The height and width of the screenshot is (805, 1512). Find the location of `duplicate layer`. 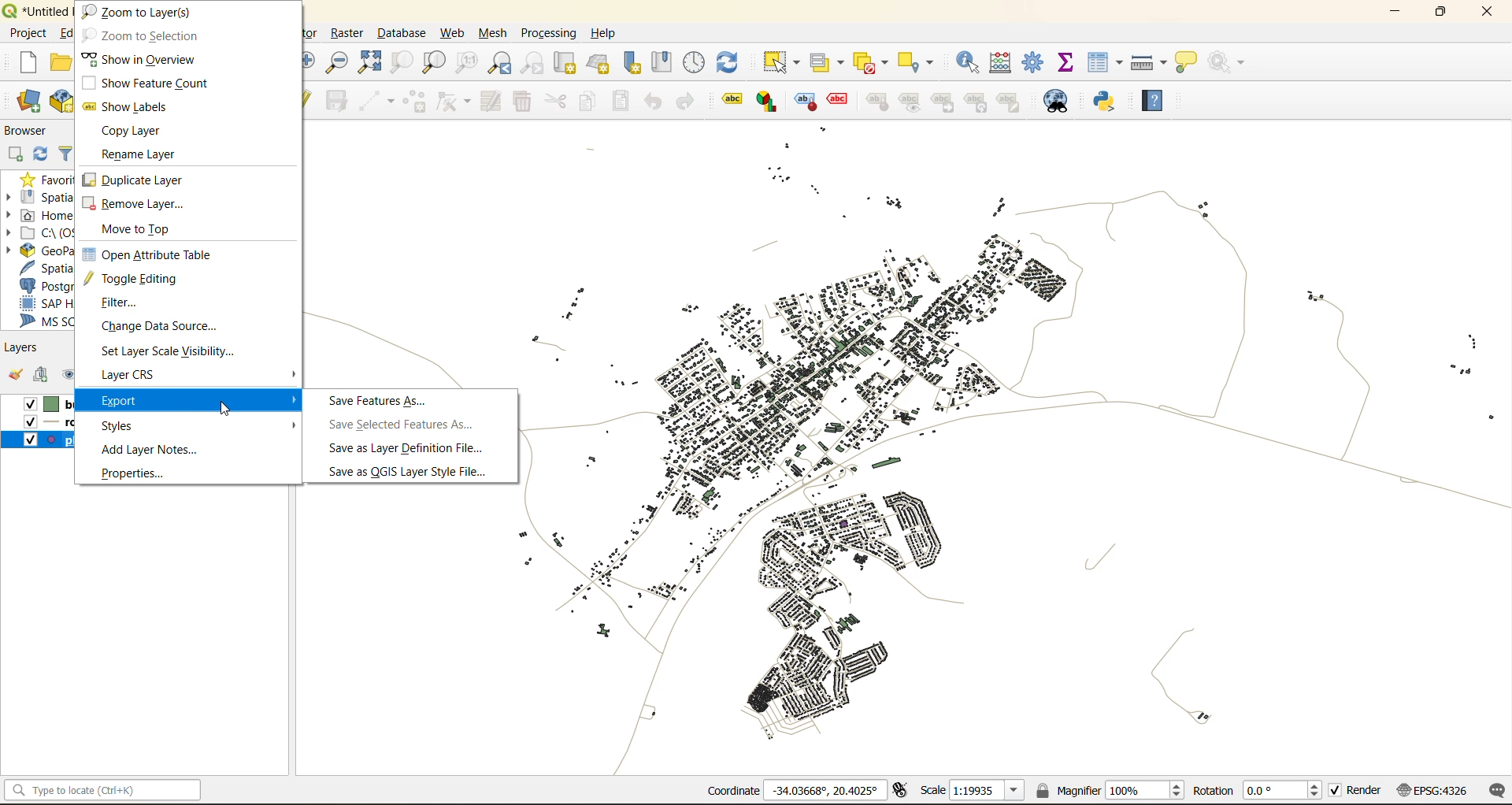

duplicate layer is located at coordinates (138, 180).